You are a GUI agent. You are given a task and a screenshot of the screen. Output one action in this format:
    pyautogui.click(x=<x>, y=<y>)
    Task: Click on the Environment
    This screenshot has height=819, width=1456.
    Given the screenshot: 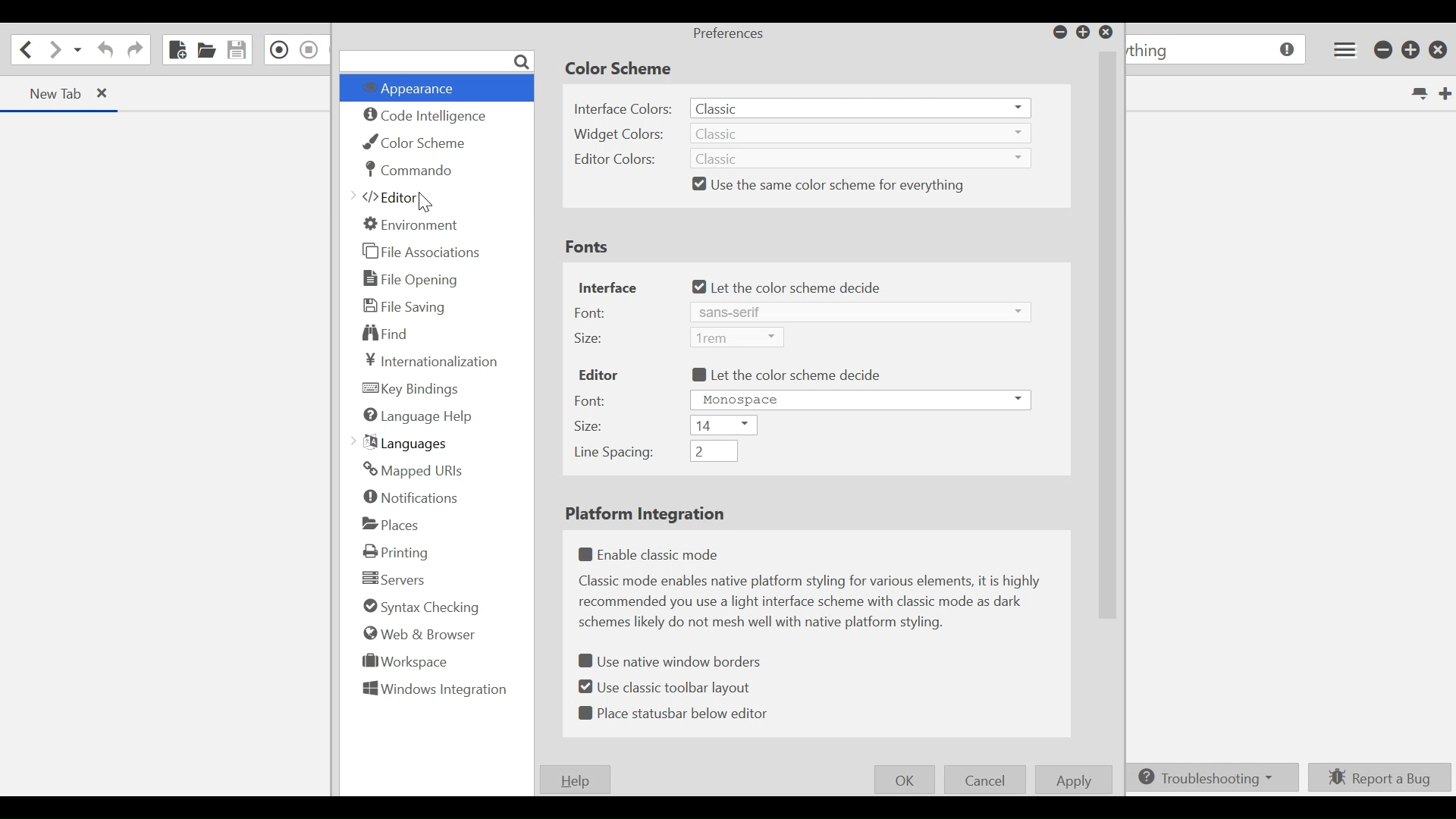 What is the action you would take?
    pyautogui.click(x=415, y=225)
    